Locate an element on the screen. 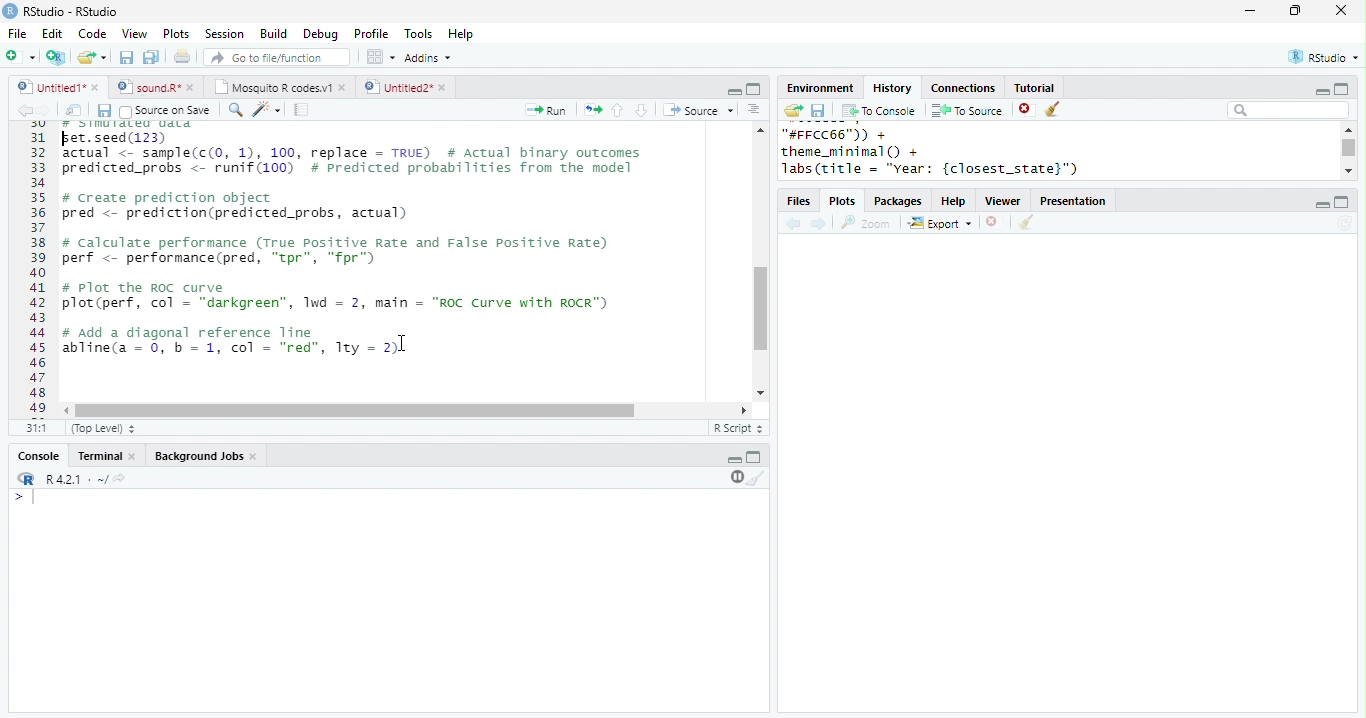 Image resolution: width=1366 pixels, height=718 pixels. maximize is located at coordinates (1340, 88).